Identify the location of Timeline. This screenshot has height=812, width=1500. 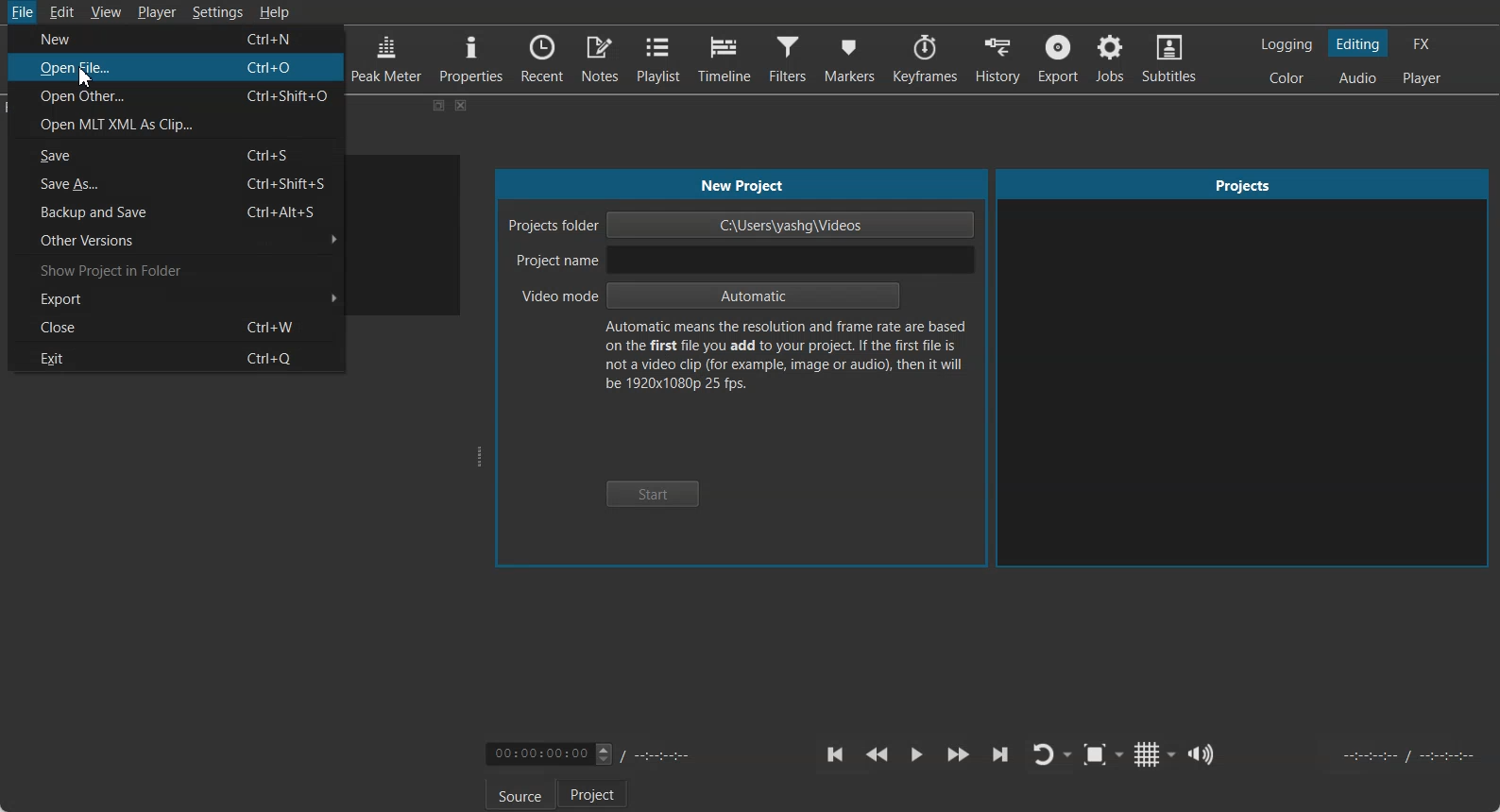
(725, 58).